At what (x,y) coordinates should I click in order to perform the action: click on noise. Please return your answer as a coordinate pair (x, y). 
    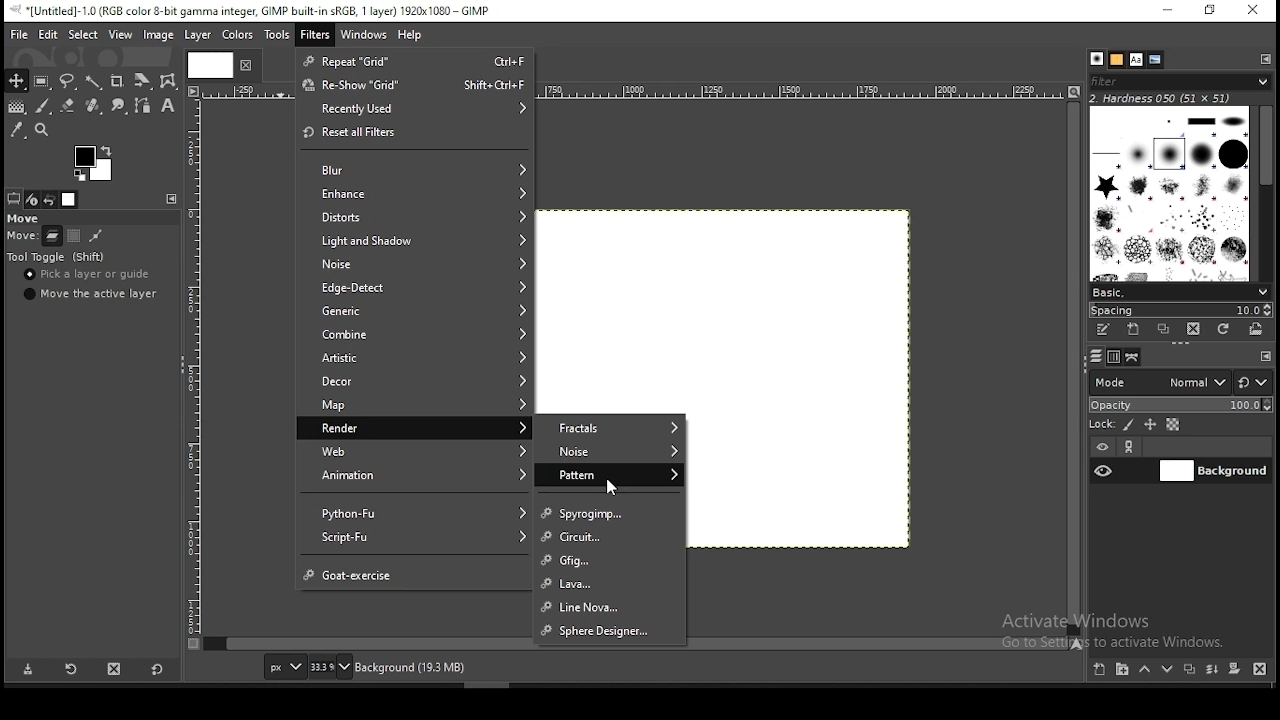
    Looking at the image, I should click on (609, 451).